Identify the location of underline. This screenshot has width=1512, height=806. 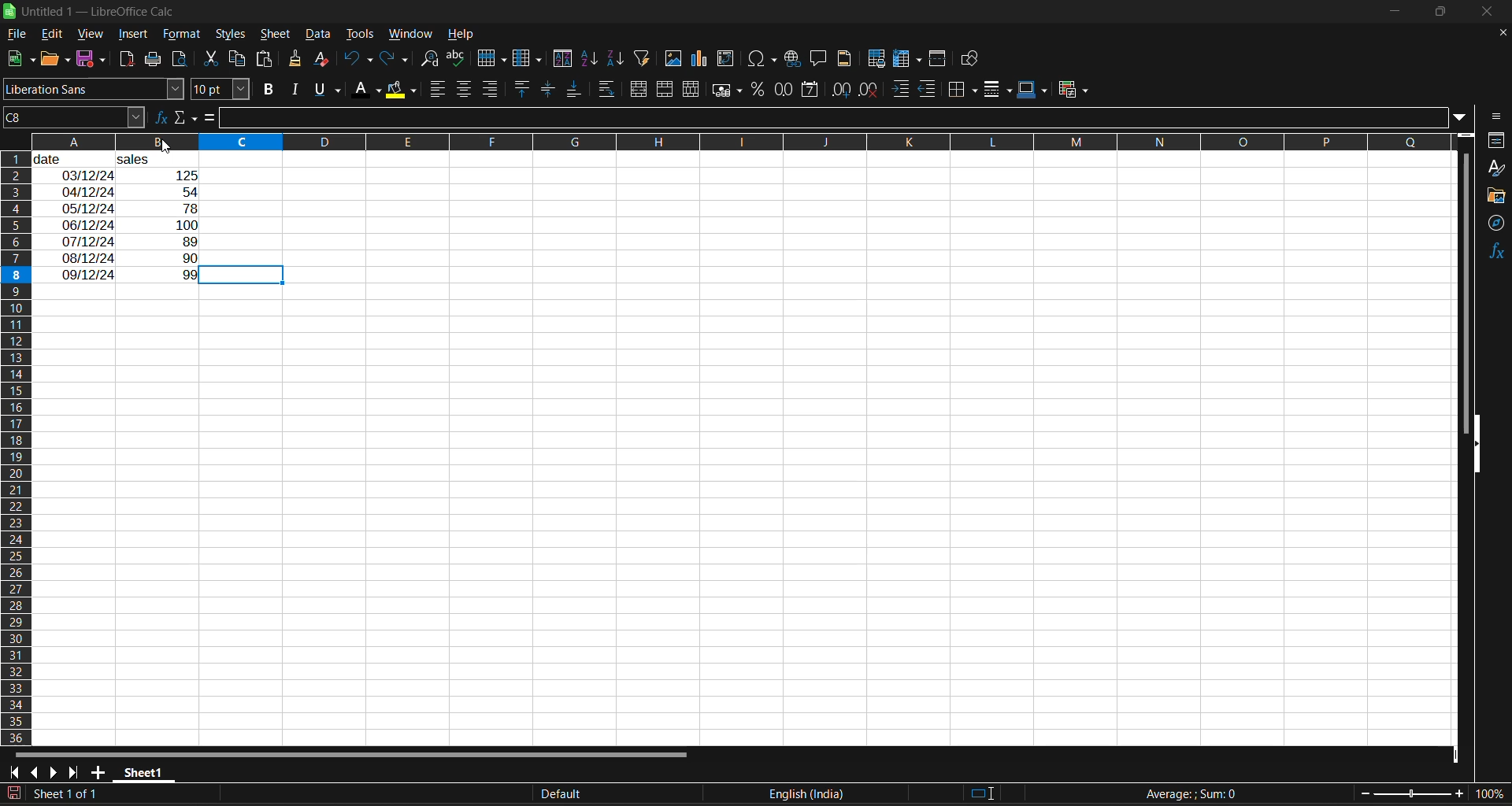
(331, 90).